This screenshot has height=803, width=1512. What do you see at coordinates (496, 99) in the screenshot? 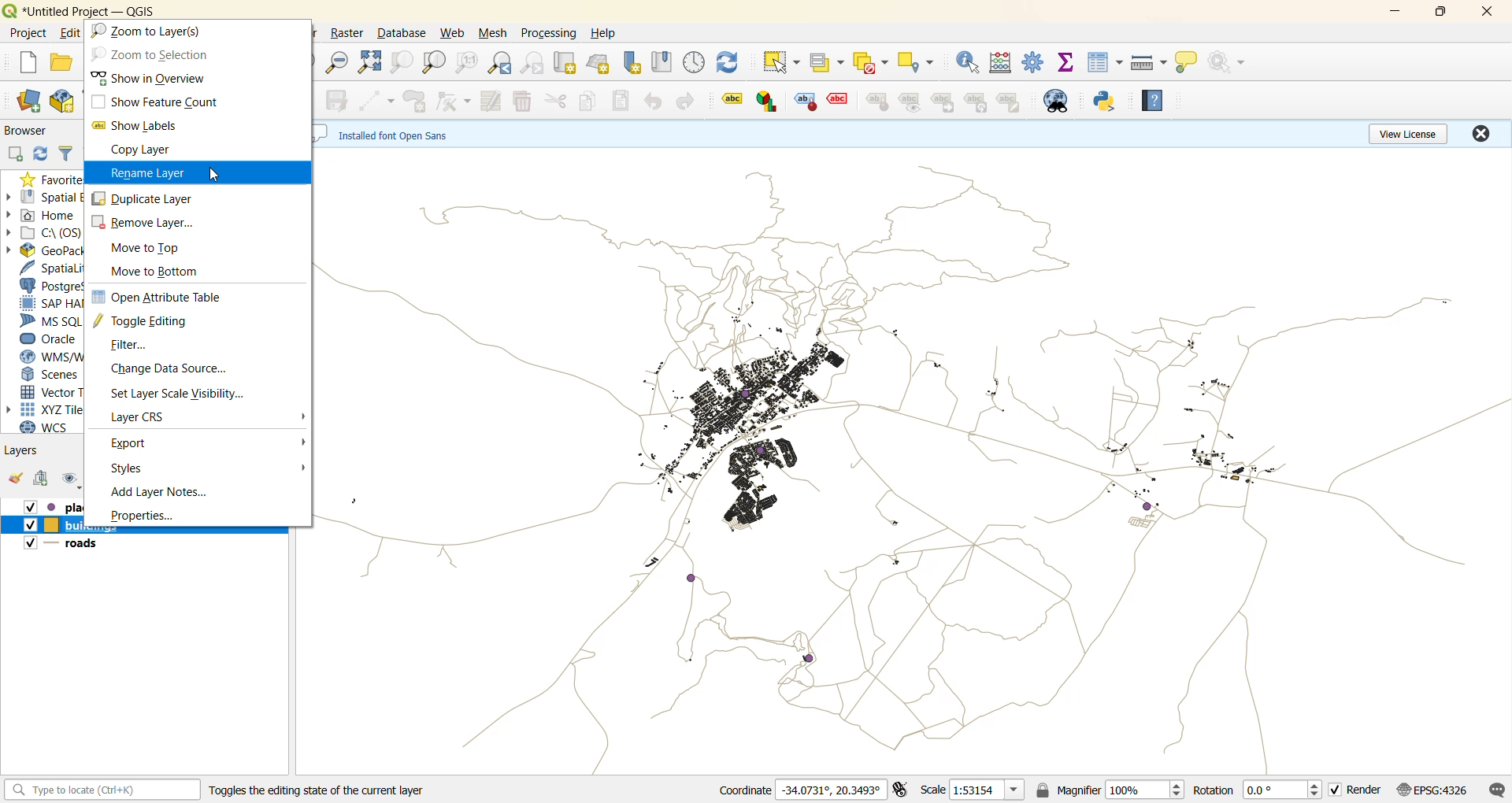
I see `modify` at bounding box center [496, 99].